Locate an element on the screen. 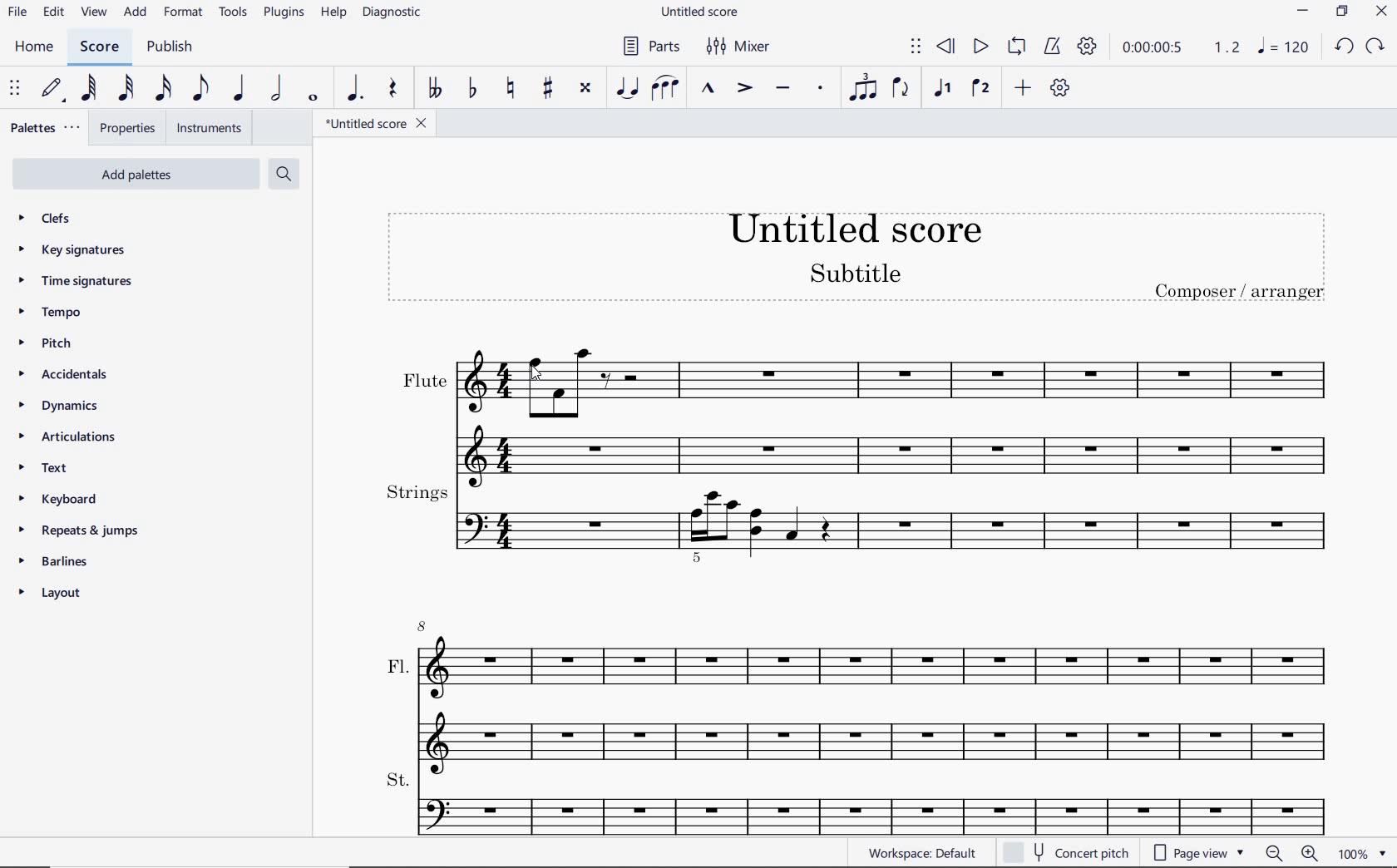  TOGGLE NATURAL is located at coordinates (511, 89).